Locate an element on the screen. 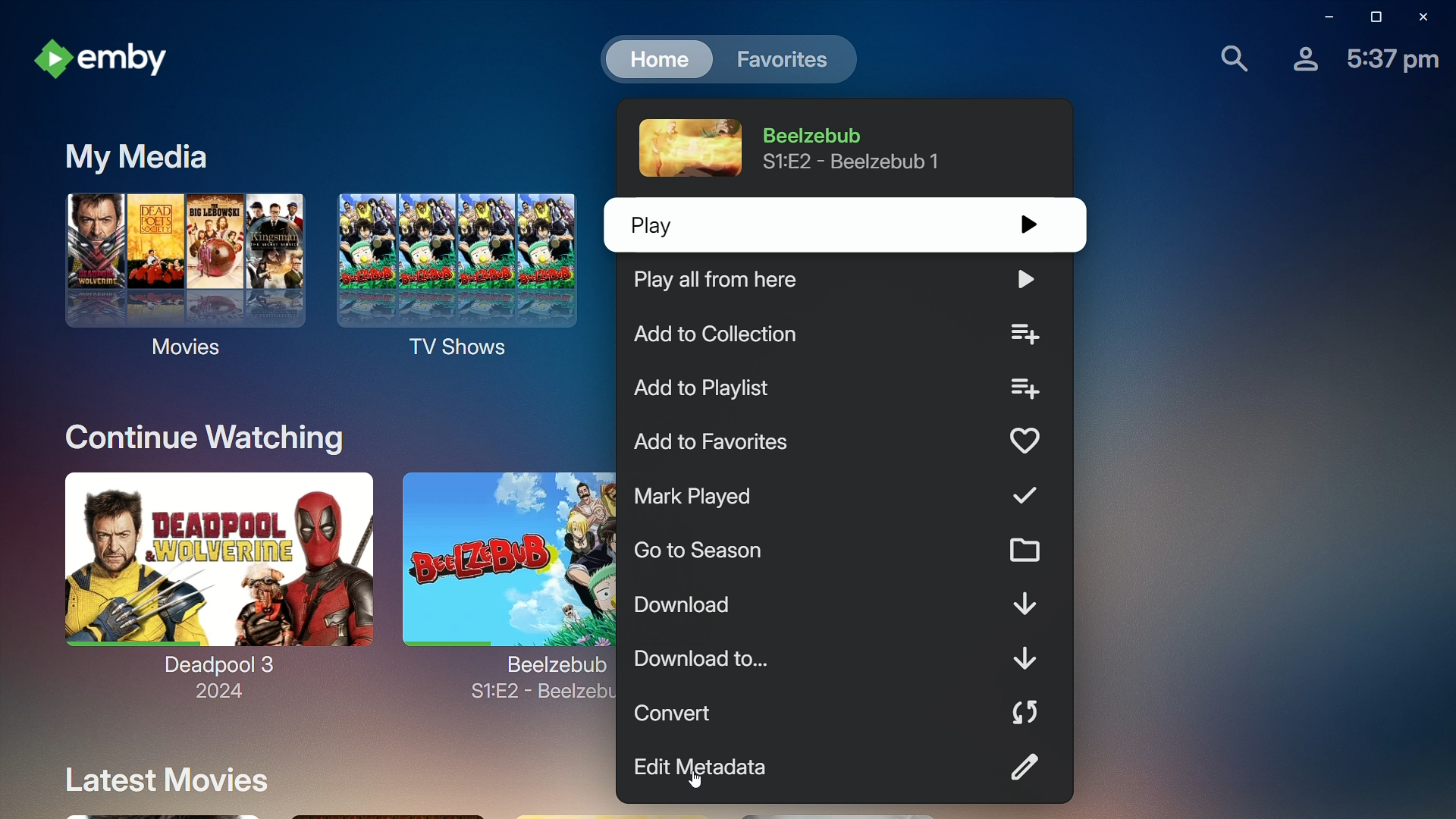  TV Shows is located at coordinates (461, 281).